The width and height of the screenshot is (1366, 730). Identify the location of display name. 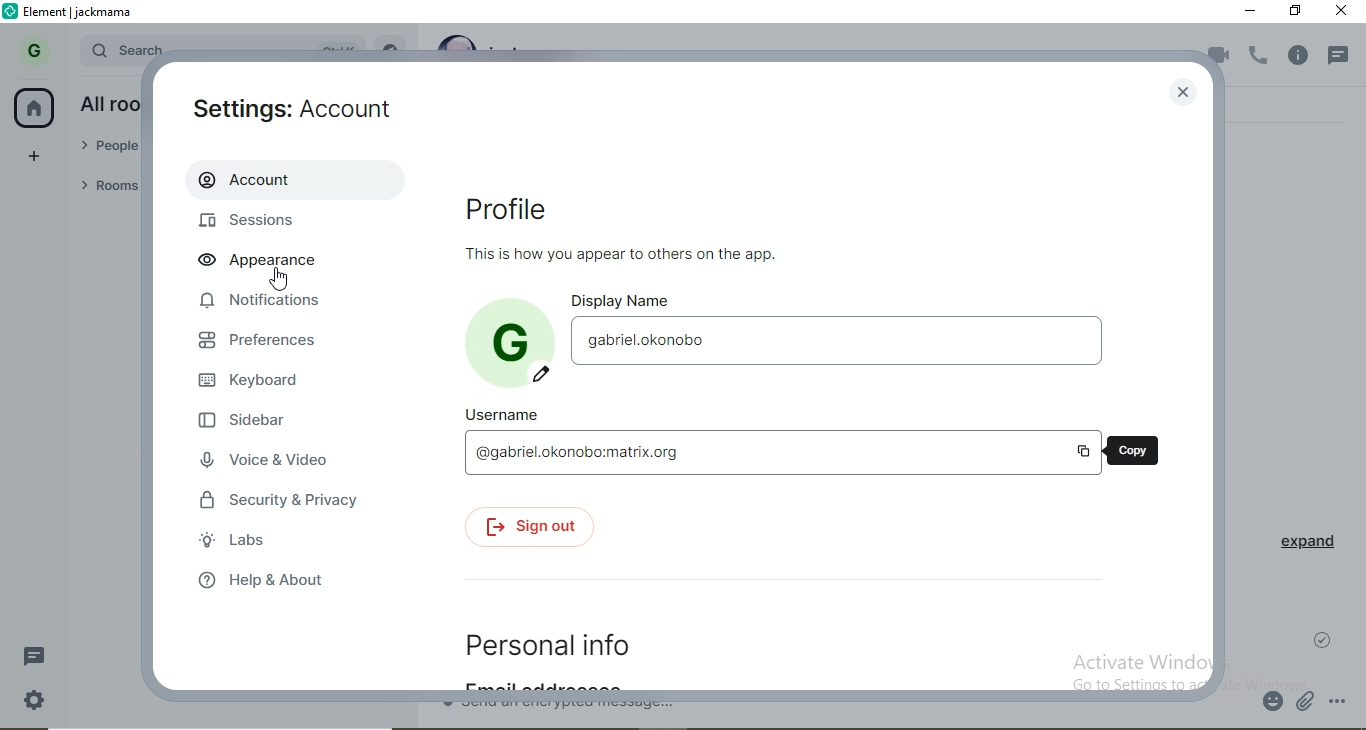
(632, 301).